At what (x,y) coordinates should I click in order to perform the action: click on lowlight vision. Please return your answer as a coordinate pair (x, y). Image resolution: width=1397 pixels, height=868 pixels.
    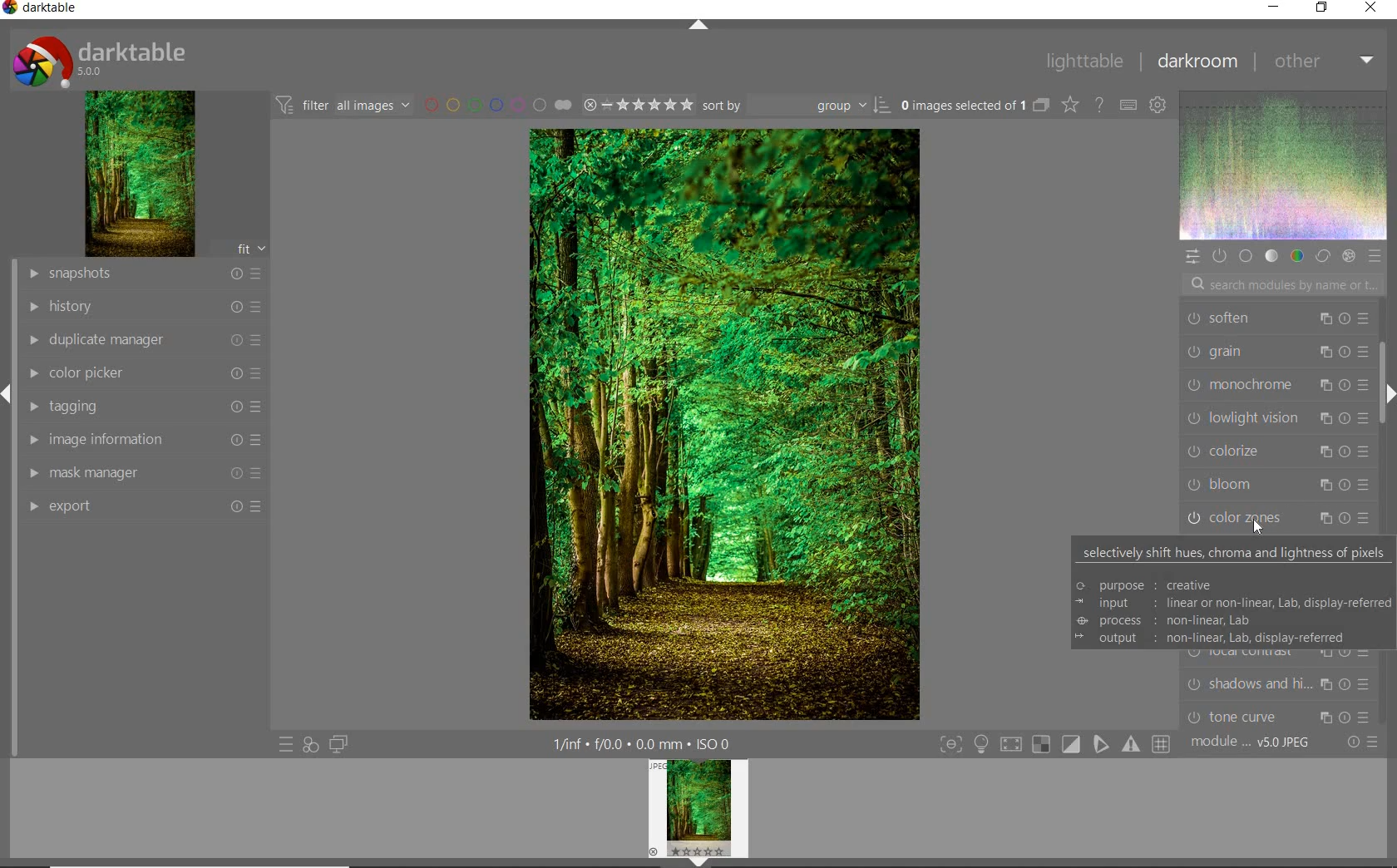
    Looking at the image, I should click on (1278, 417).